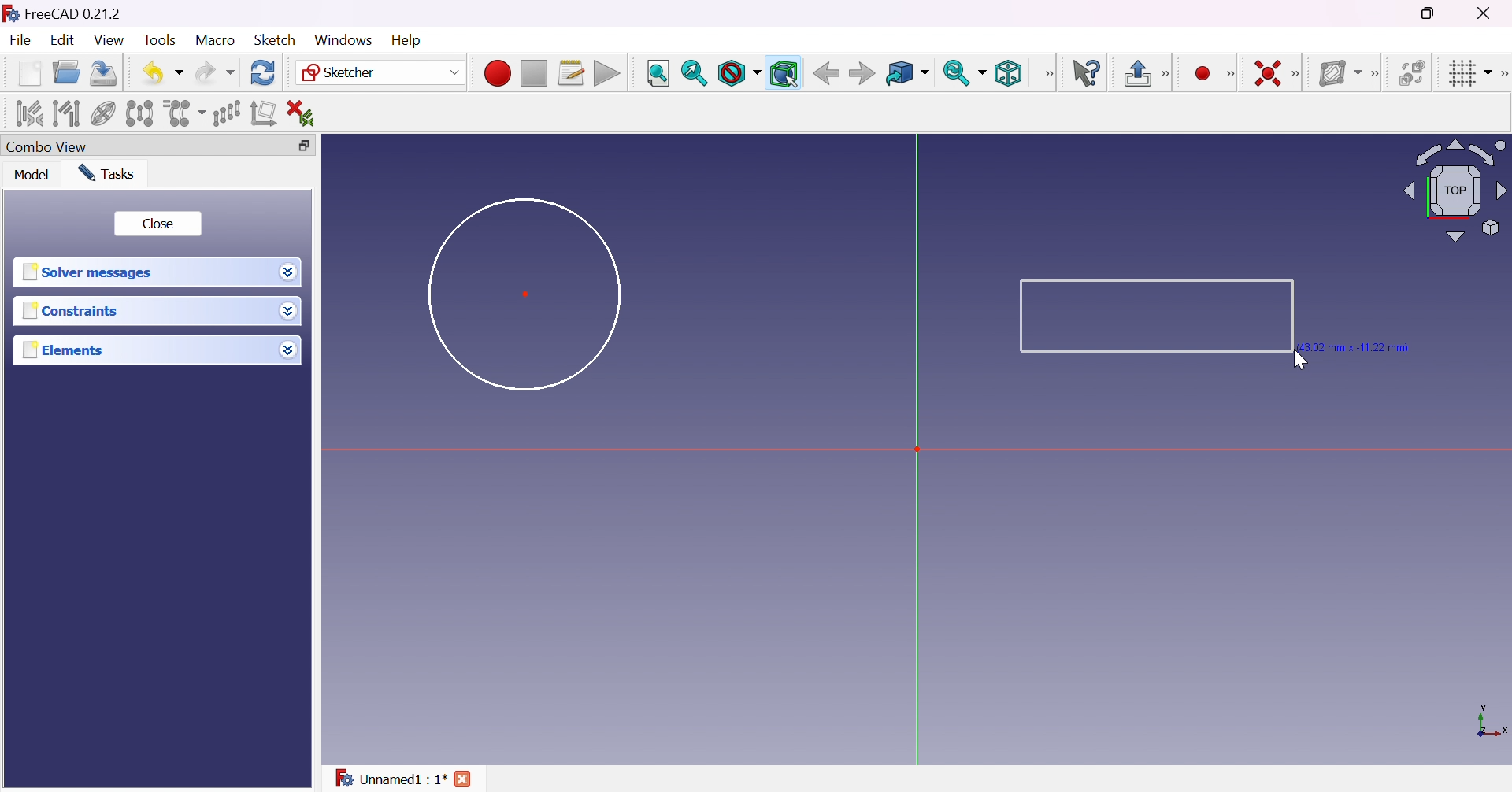  Describe the element at coordinates (22, 42) in the screenshot. I see `File` at that location.